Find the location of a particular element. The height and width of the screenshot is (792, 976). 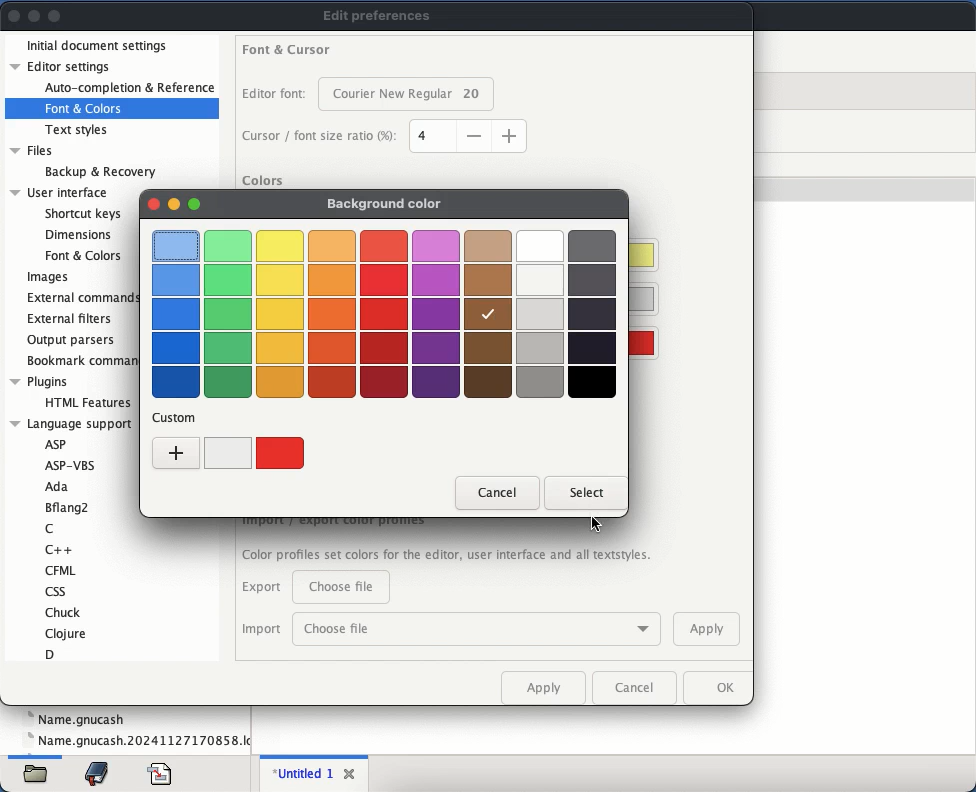

auto-completion and reference is located at coordinates (124, 87).